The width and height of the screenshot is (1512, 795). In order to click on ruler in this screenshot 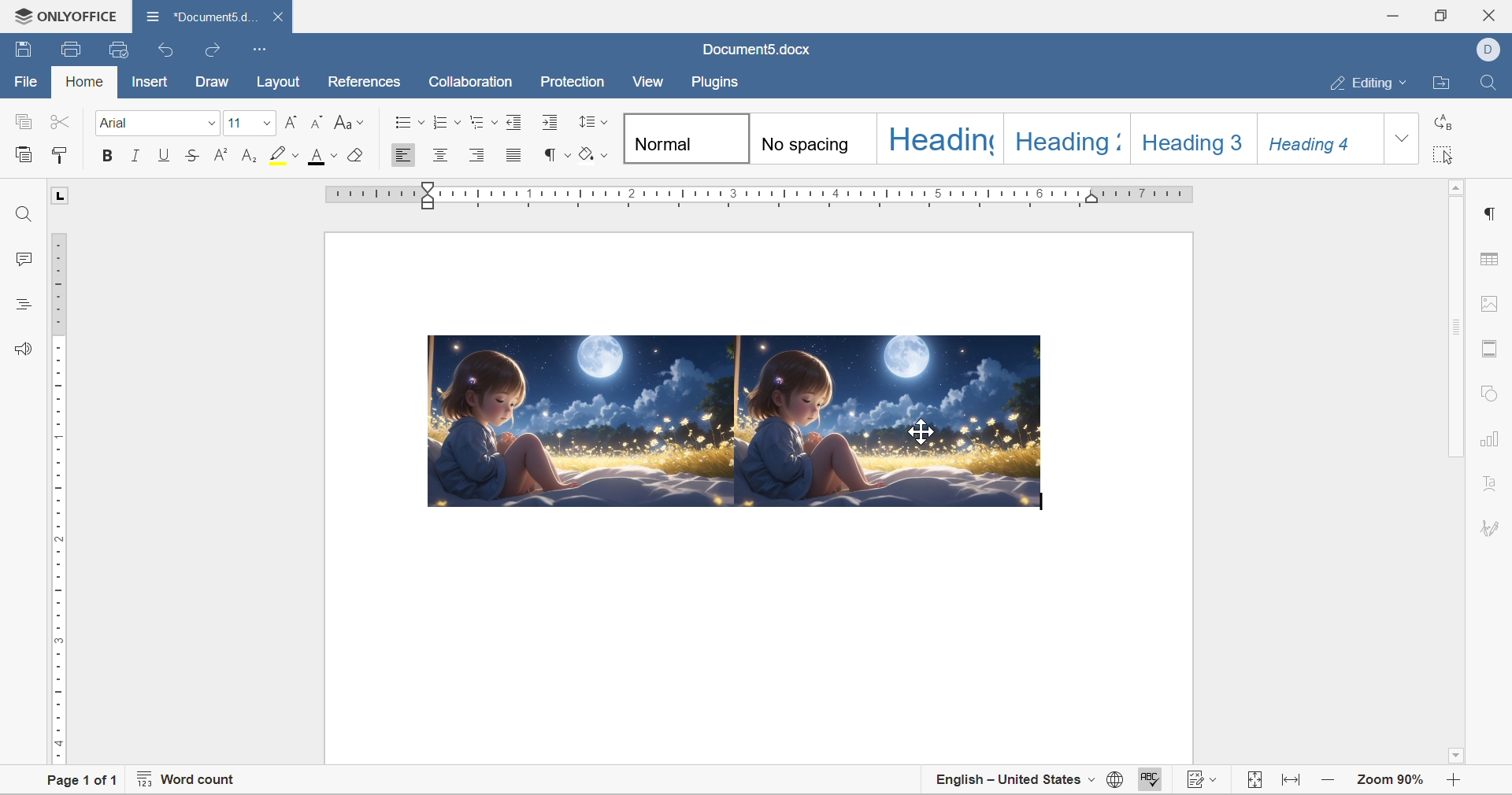, I will do `click(59, 500)`.